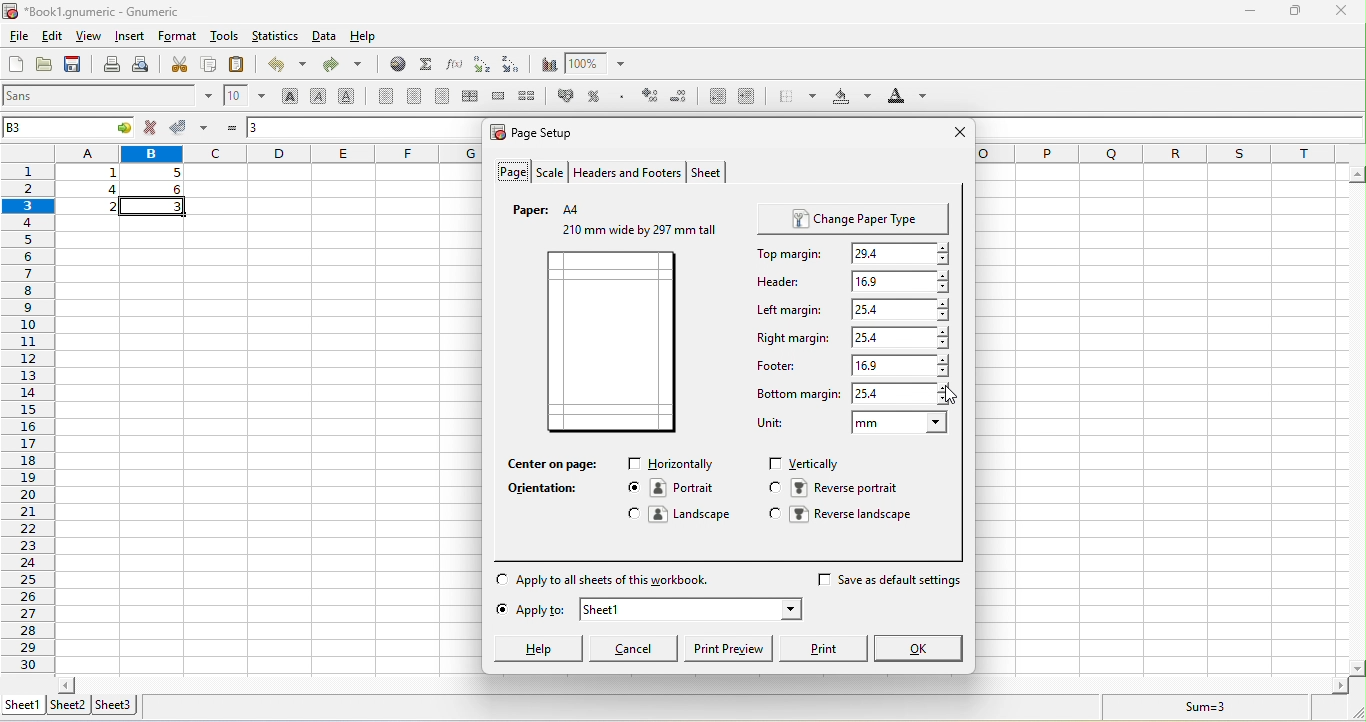  I want to click on left mergine, so click(788, 310).